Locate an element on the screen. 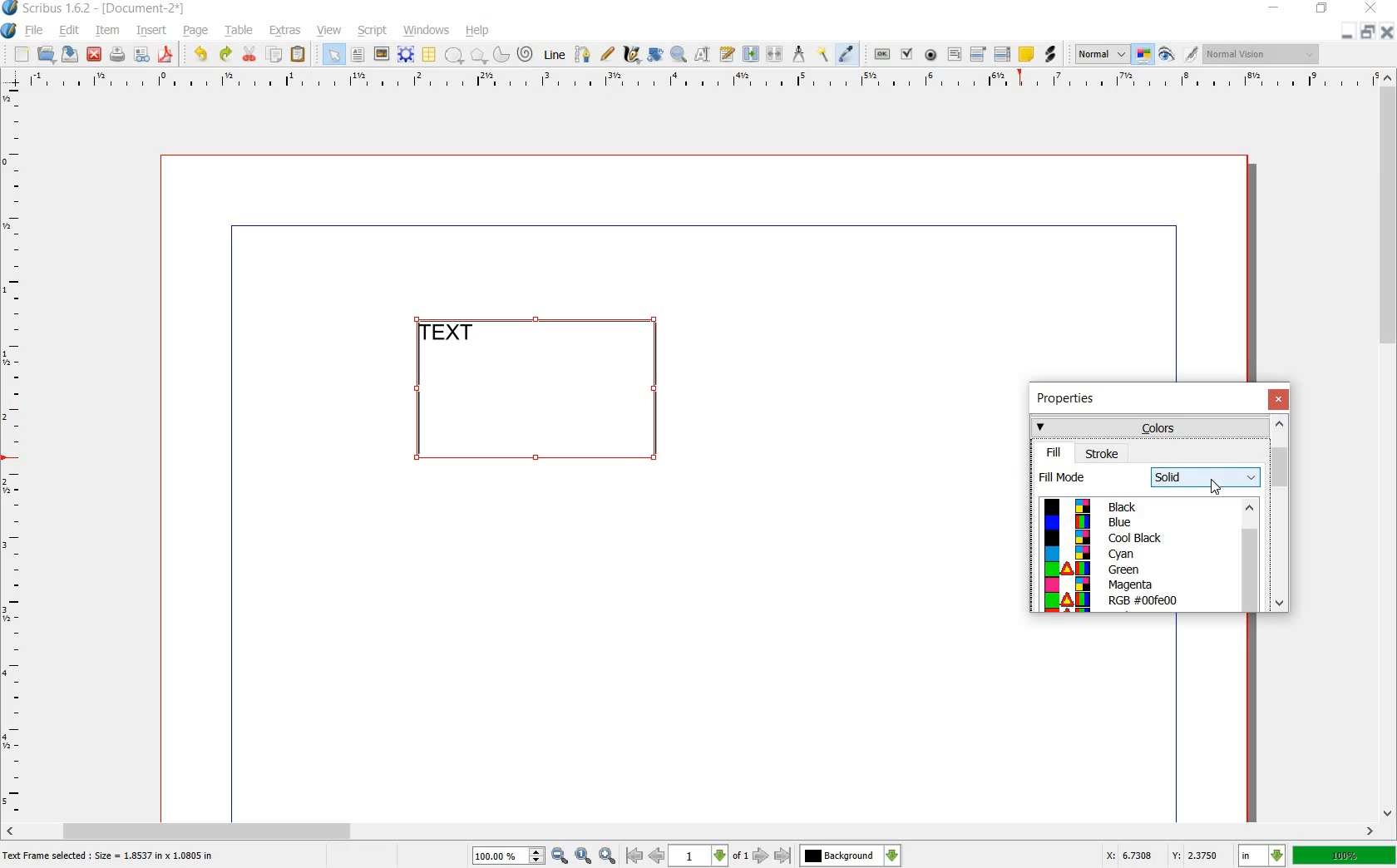  open is located at coordinates (48, 55).